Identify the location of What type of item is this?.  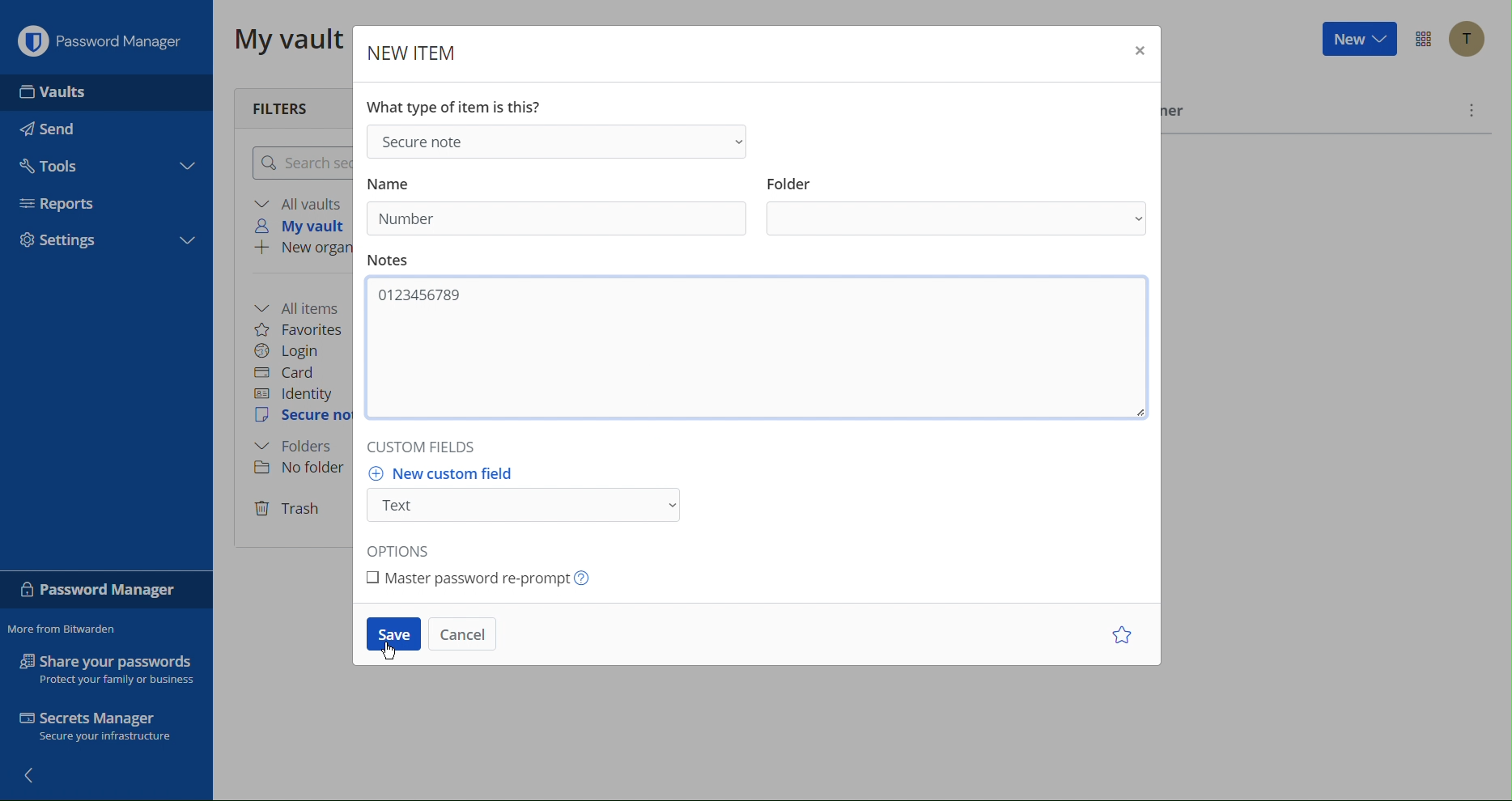
(456, 107).